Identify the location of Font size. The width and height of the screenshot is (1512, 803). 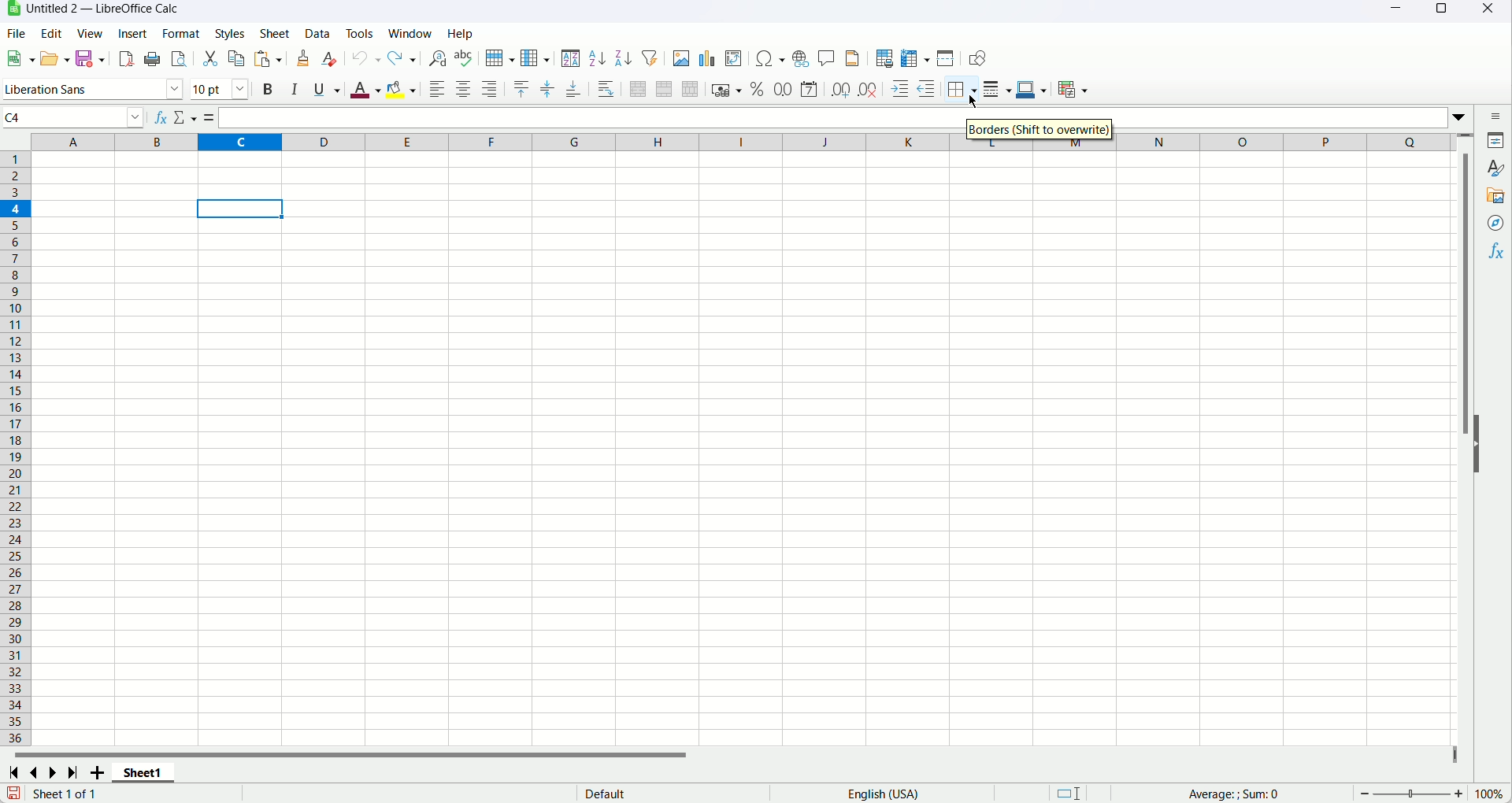
(220, 89).